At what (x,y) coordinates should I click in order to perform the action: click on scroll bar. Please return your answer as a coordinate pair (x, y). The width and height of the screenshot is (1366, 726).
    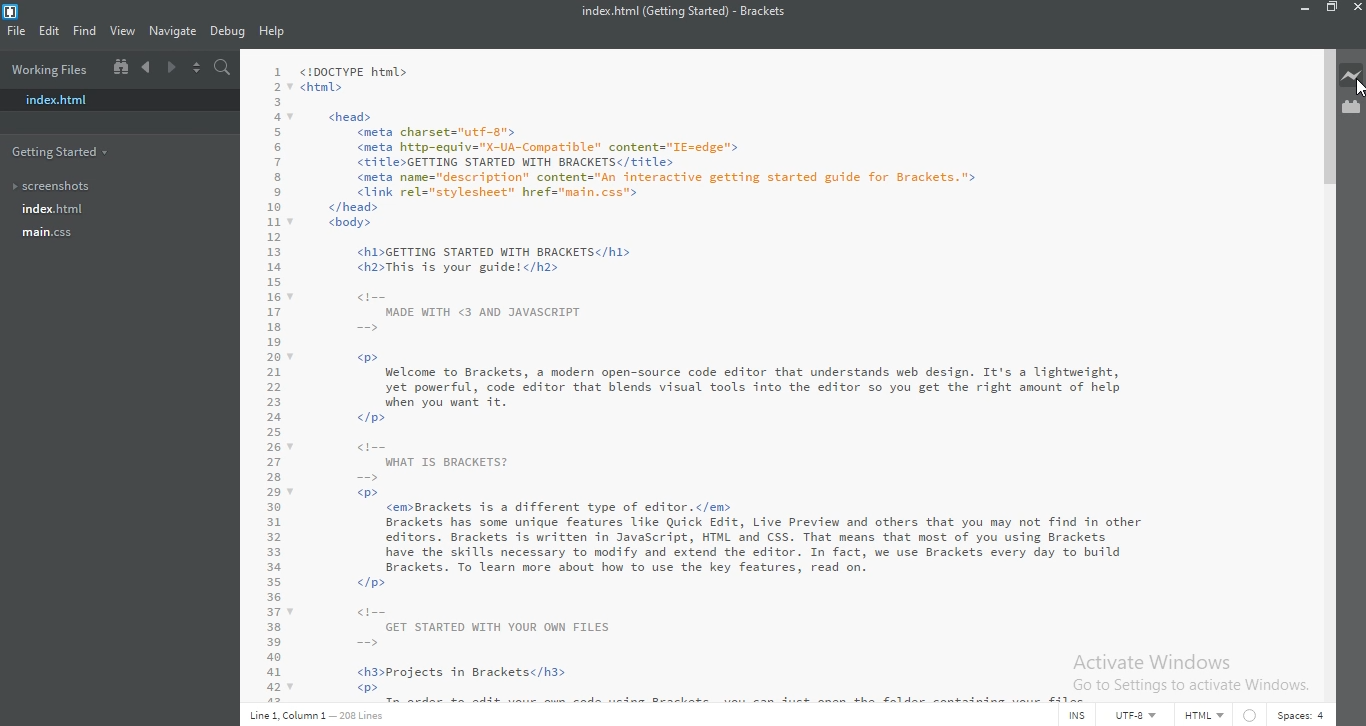
    Looking at the image, I should click on (1328, 118).